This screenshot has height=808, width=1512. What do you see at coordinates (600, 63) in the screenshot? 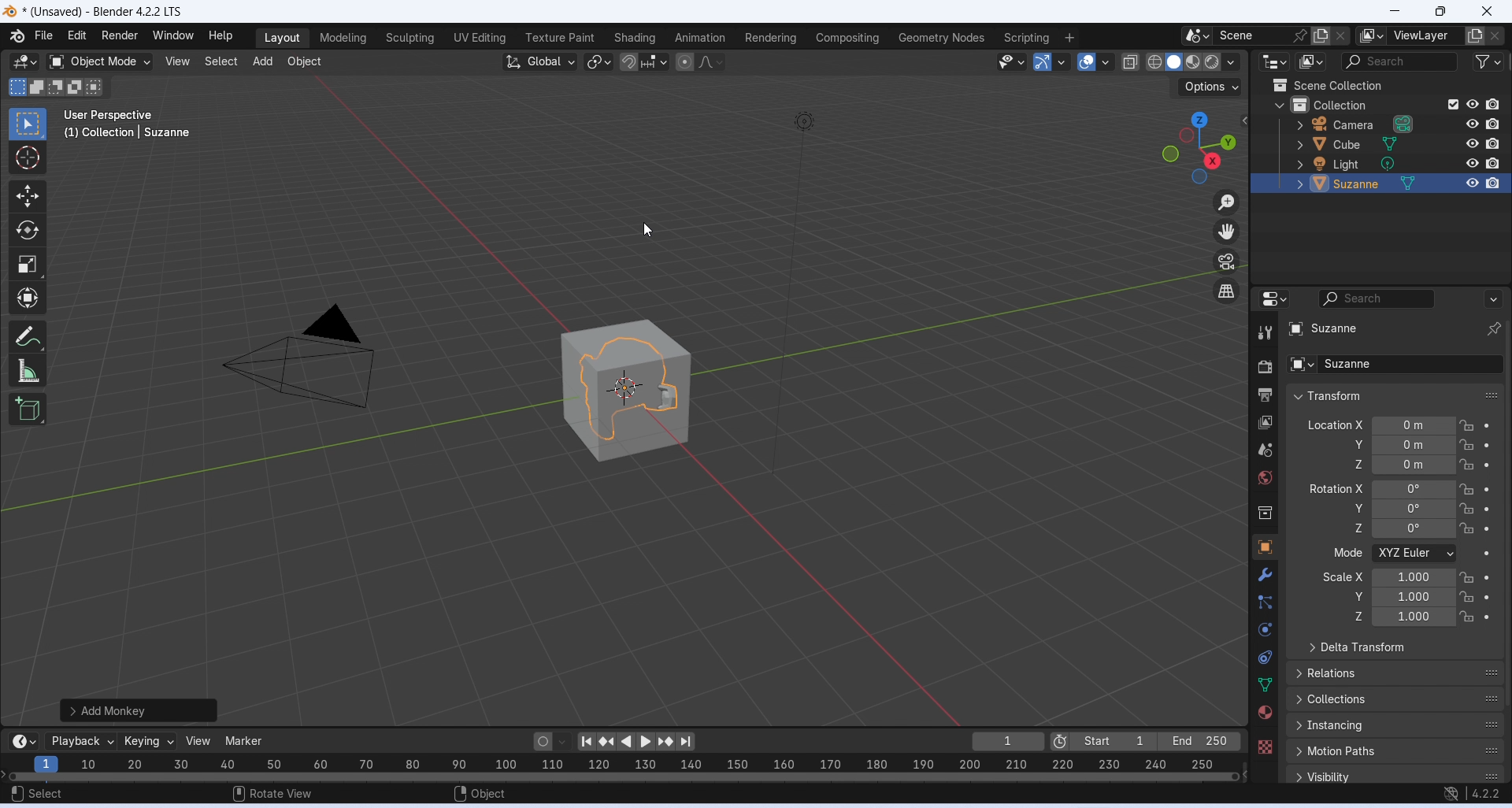
I see `transform pivot point` at bounding box center [600, 63].